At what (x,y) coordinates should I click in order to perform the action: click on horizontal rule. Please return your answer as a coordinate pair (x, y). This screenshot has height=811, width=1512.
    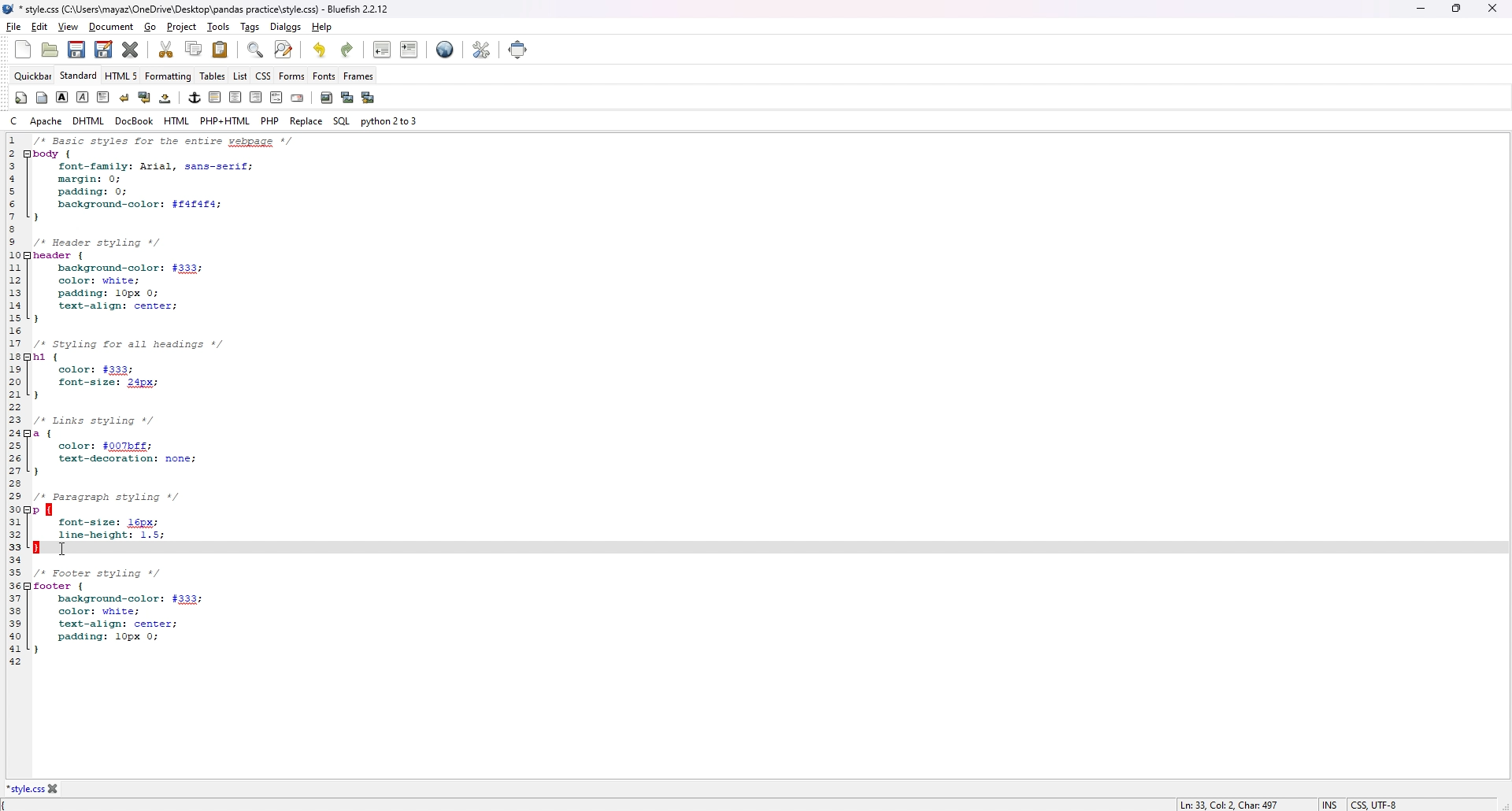
    Looking at the image, I should click on (215, 97).